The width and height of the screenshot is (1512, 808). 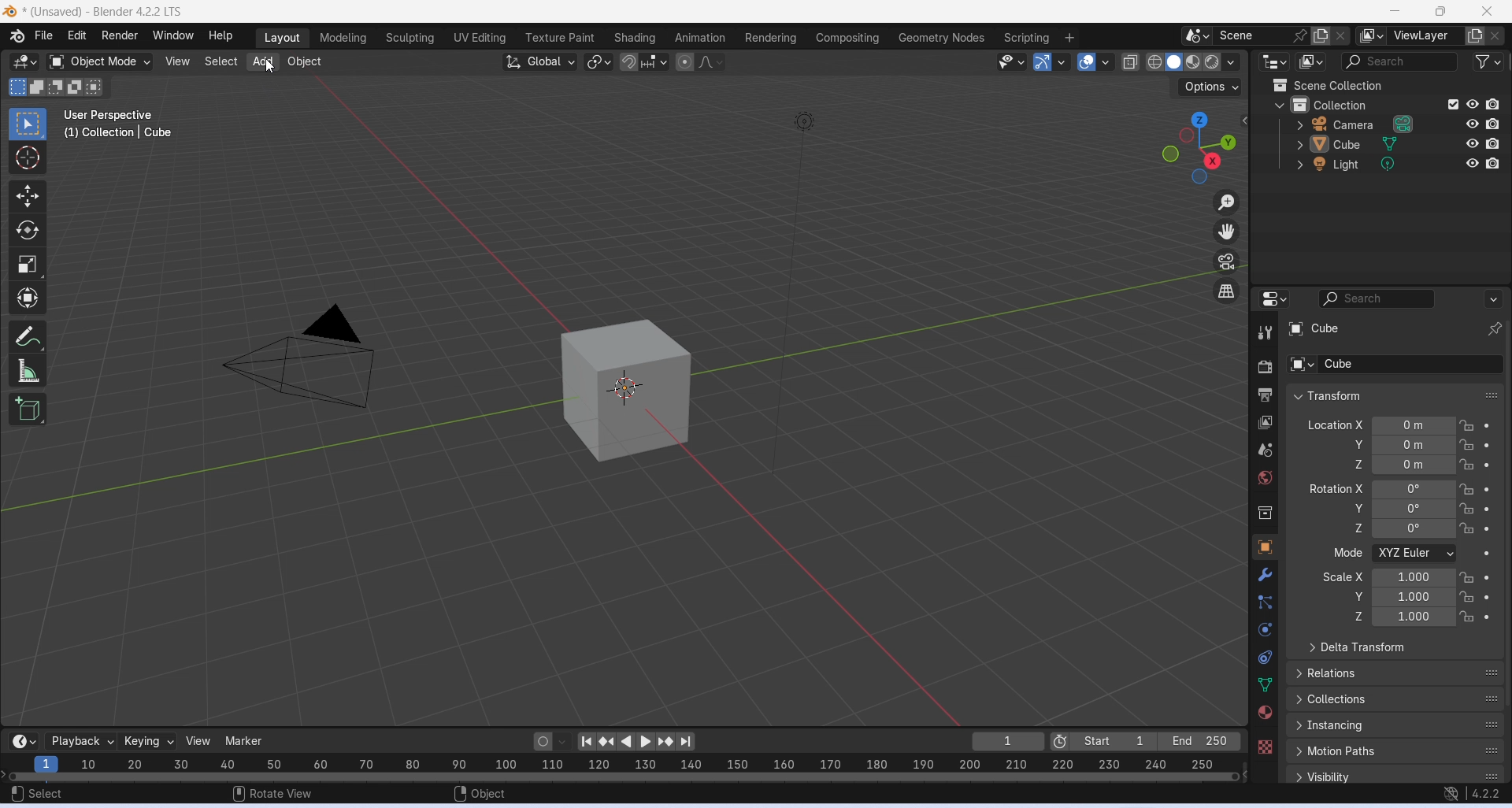 I want to click on Start 1, so click(x=1114, y=741).